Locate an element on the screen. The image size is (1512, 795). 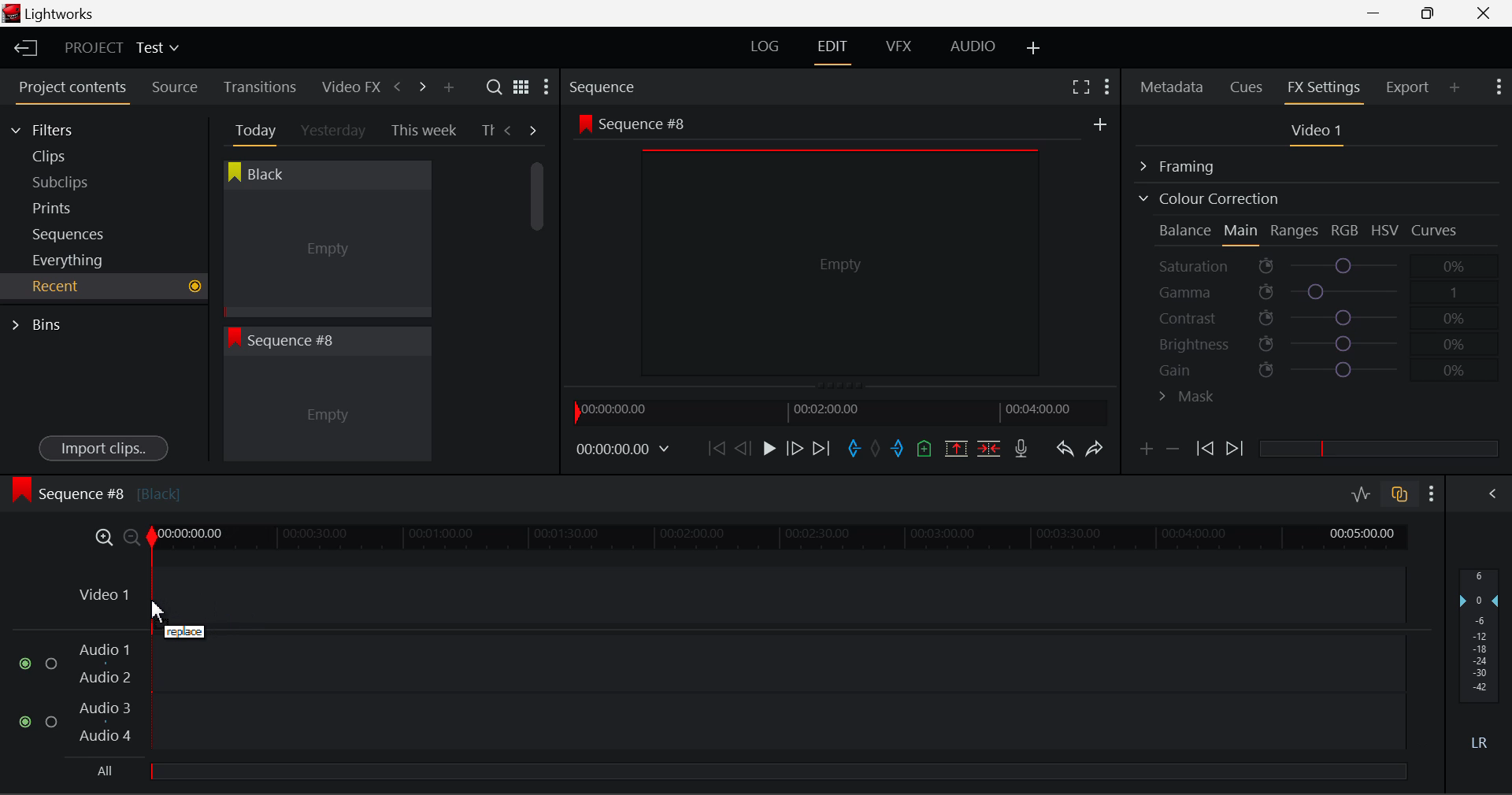
Toggle list and title view is located at coordinates (521, 87).